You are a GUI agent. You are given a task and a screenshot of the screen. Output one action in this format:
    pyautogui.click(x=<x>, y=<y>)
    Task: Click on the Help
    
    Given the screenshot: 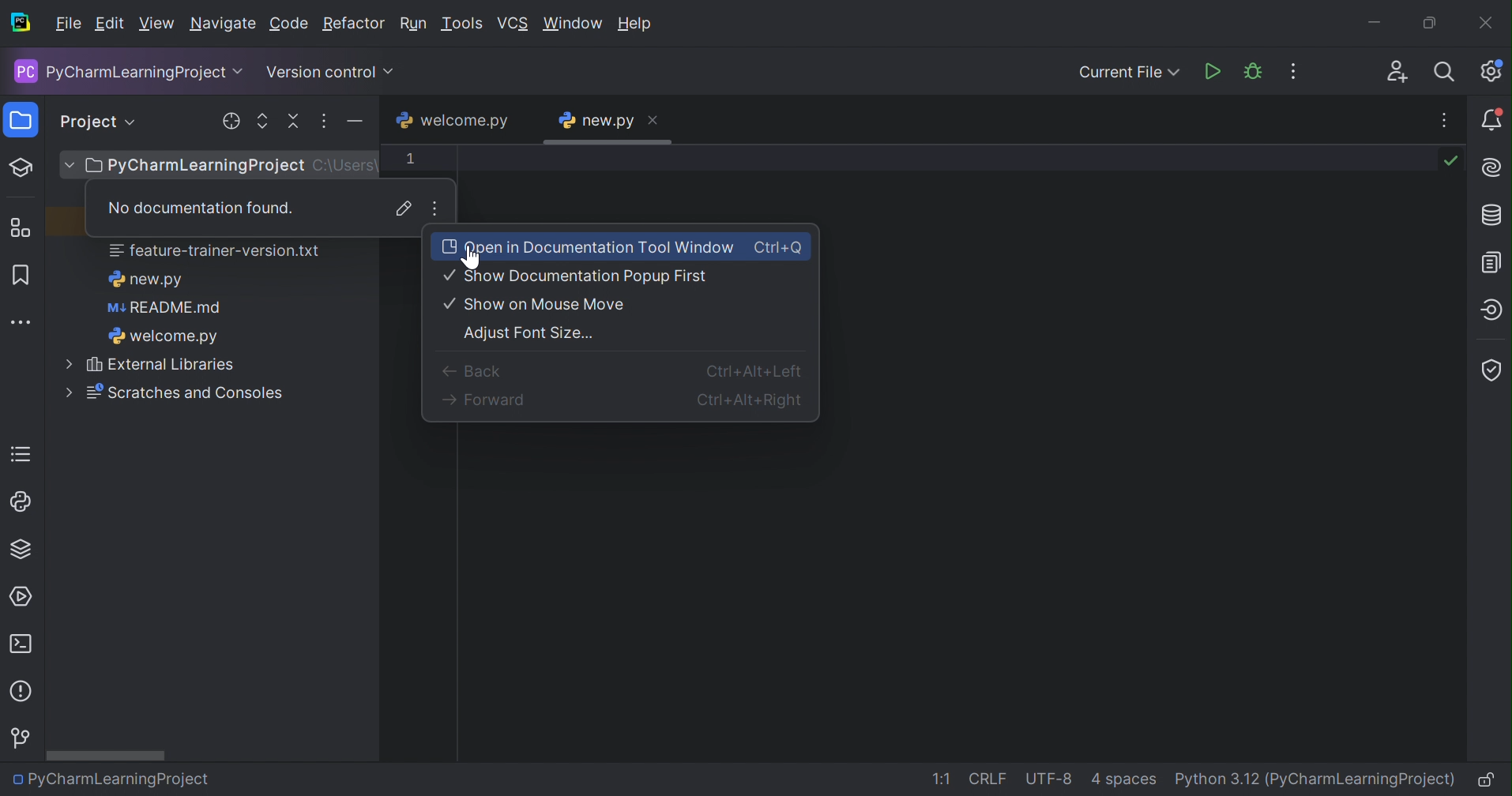 What is the action you would take?
    pyautogui.click(x=638, y=24)
    